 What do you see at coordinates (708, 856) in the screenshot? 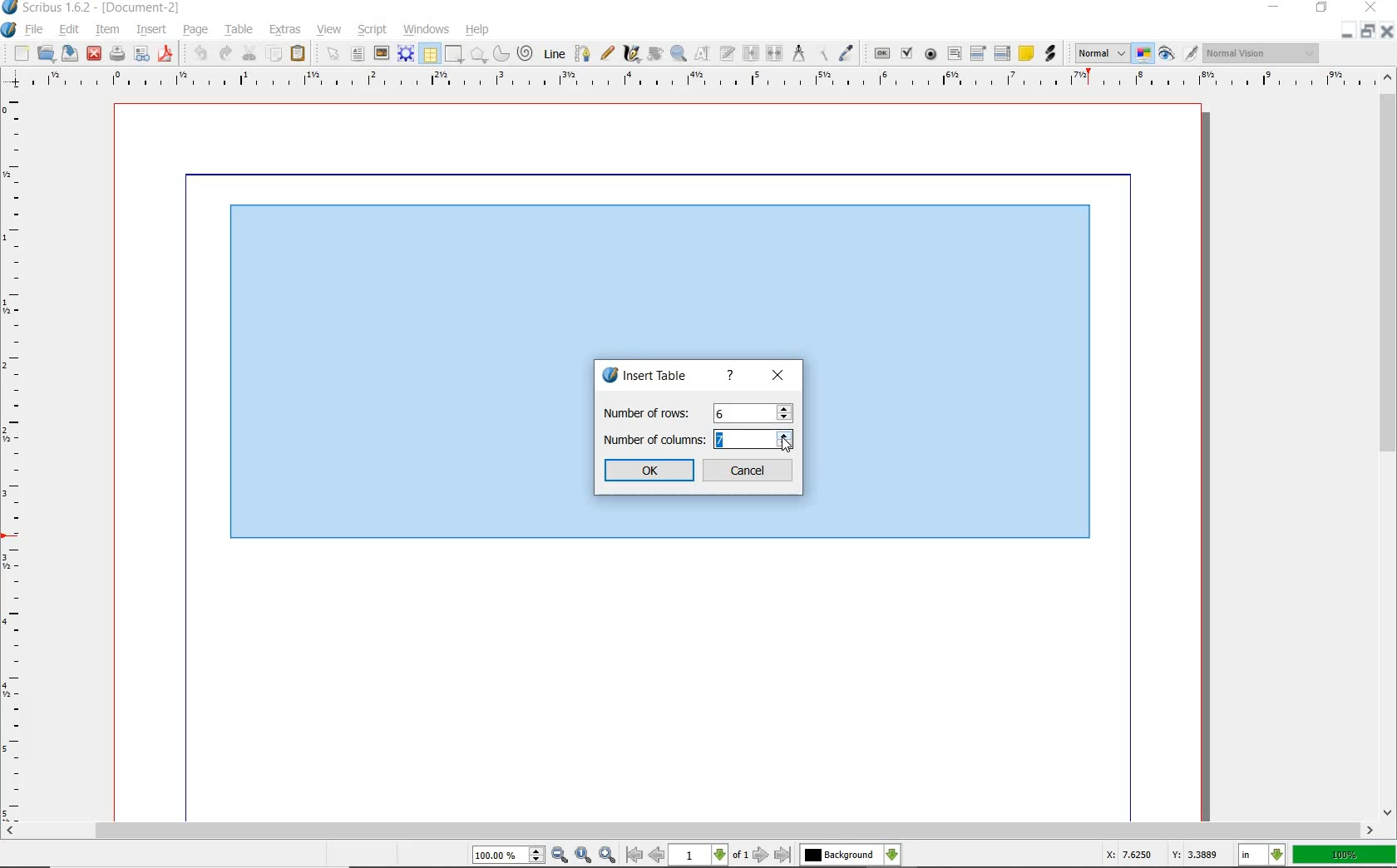
I see `select current page` at bounding box center [708, 856].